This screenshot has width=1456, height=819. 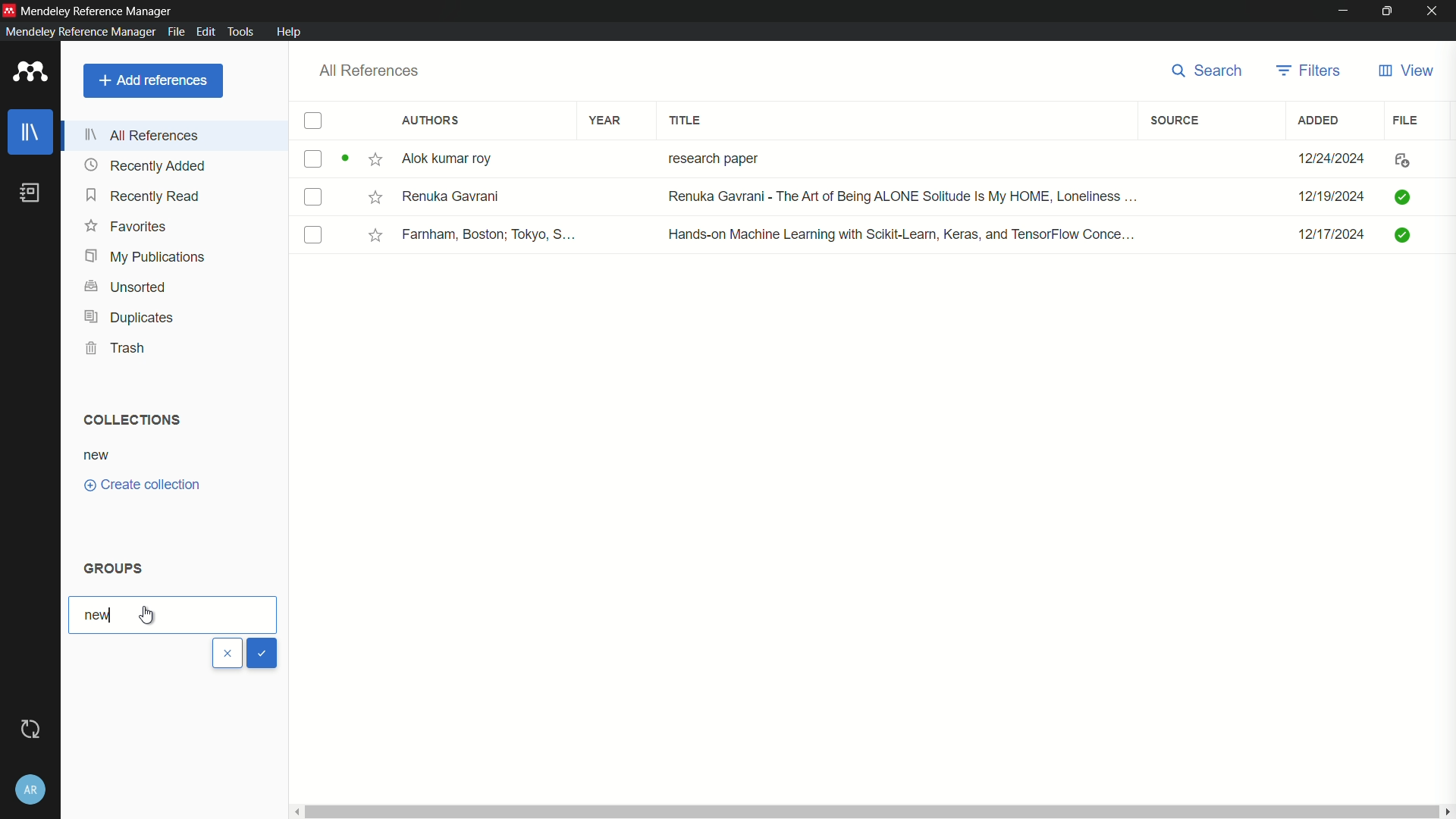 I want to click on reserach paper, so click(x=710, y=155).